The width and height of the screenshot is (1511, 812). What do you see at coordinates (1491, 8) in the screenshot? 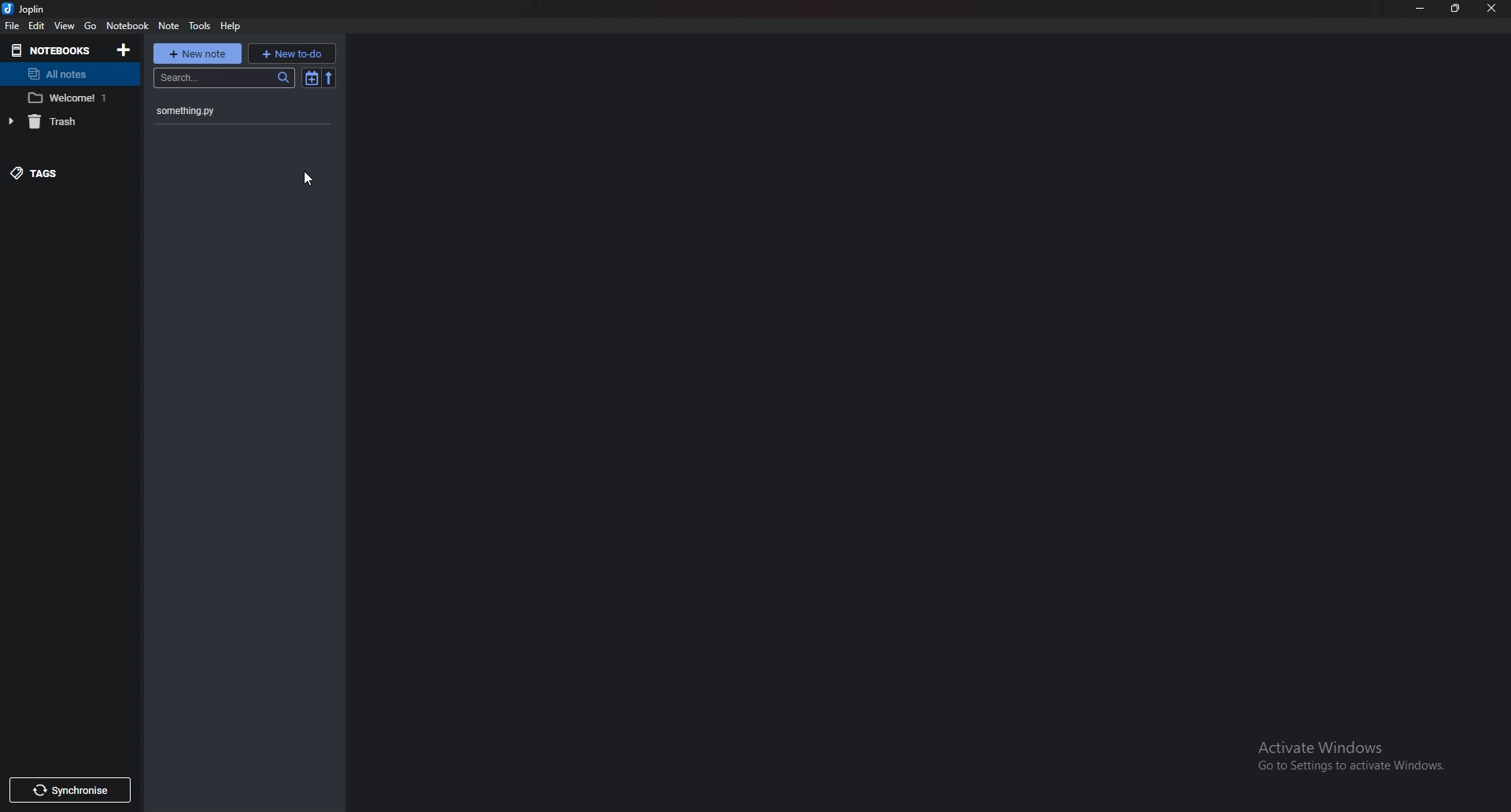
I see `close` at bounding box center [1491, 8].